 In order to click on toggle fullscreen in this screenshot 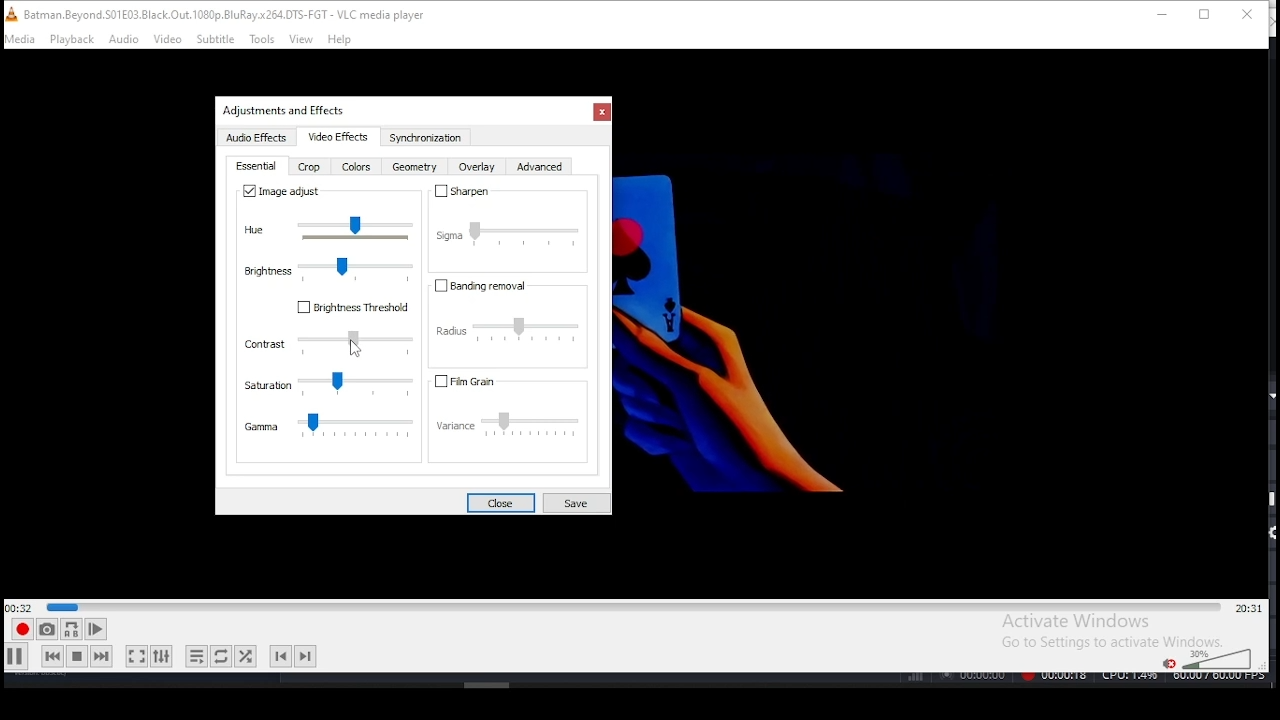, I will do `click(137, 658)`.